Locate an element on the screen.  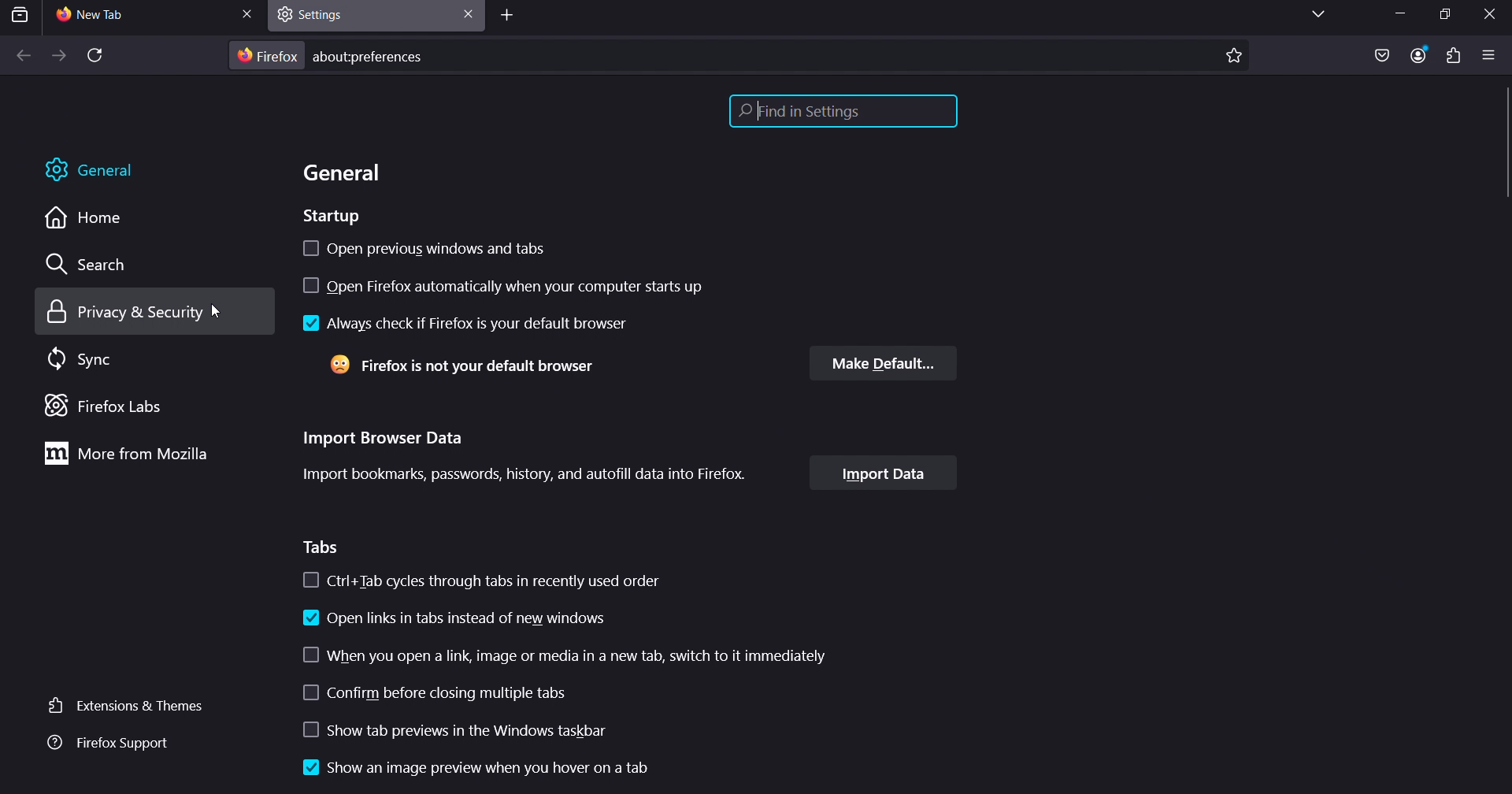
add tab is located at coordinates (509, 18).